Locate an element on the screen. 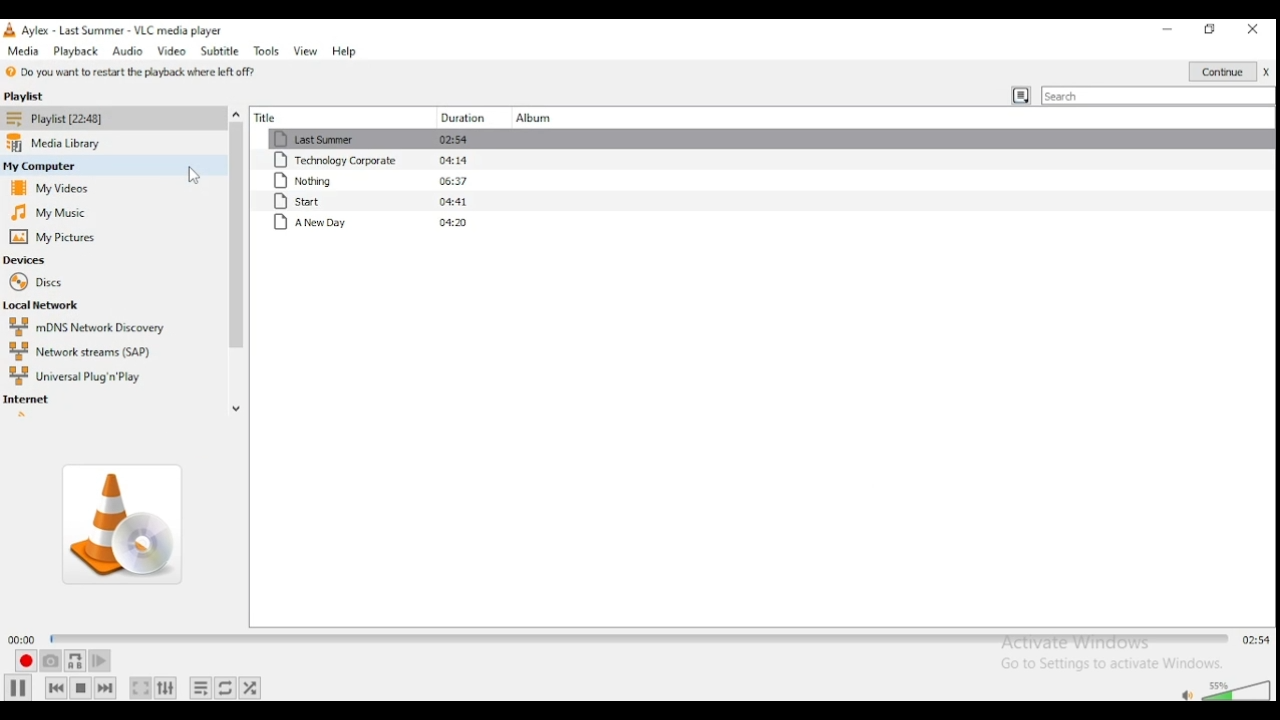  view is located at coordinates (306, 52).